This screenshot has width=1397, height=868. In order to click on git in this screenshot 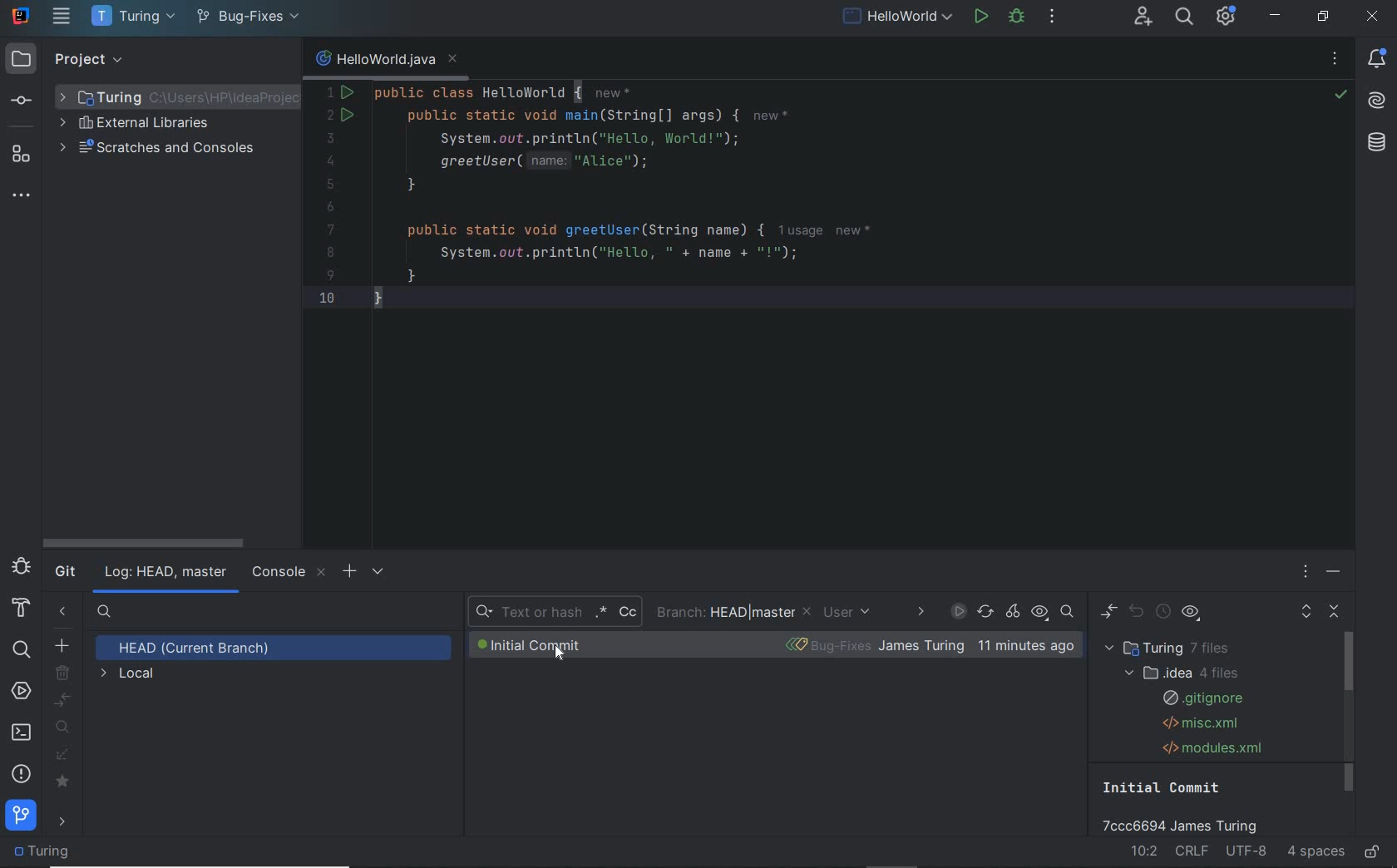, I will do `click(65, 573)`.